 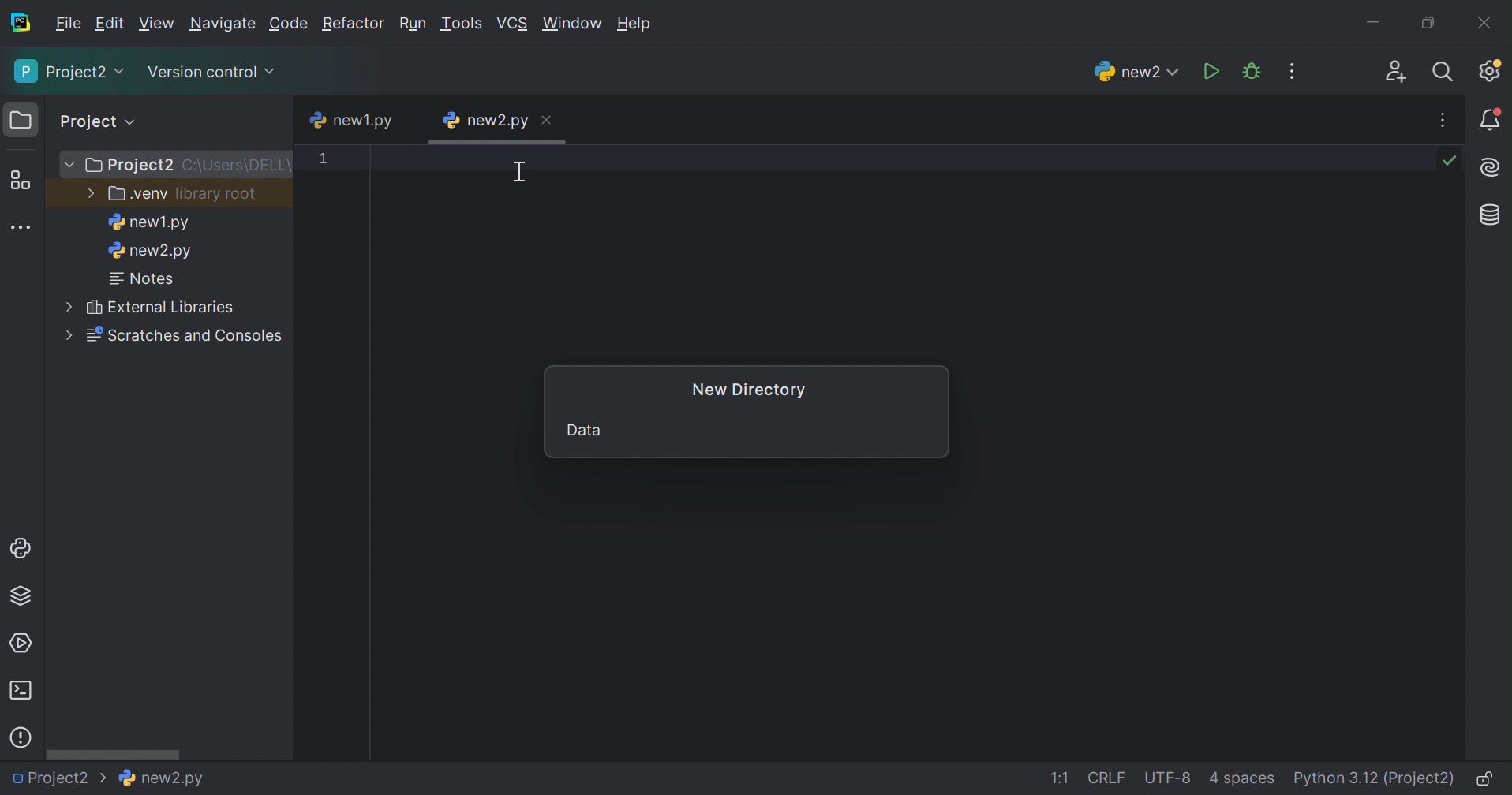 I want to click on Run, so click(x=414, y=21).